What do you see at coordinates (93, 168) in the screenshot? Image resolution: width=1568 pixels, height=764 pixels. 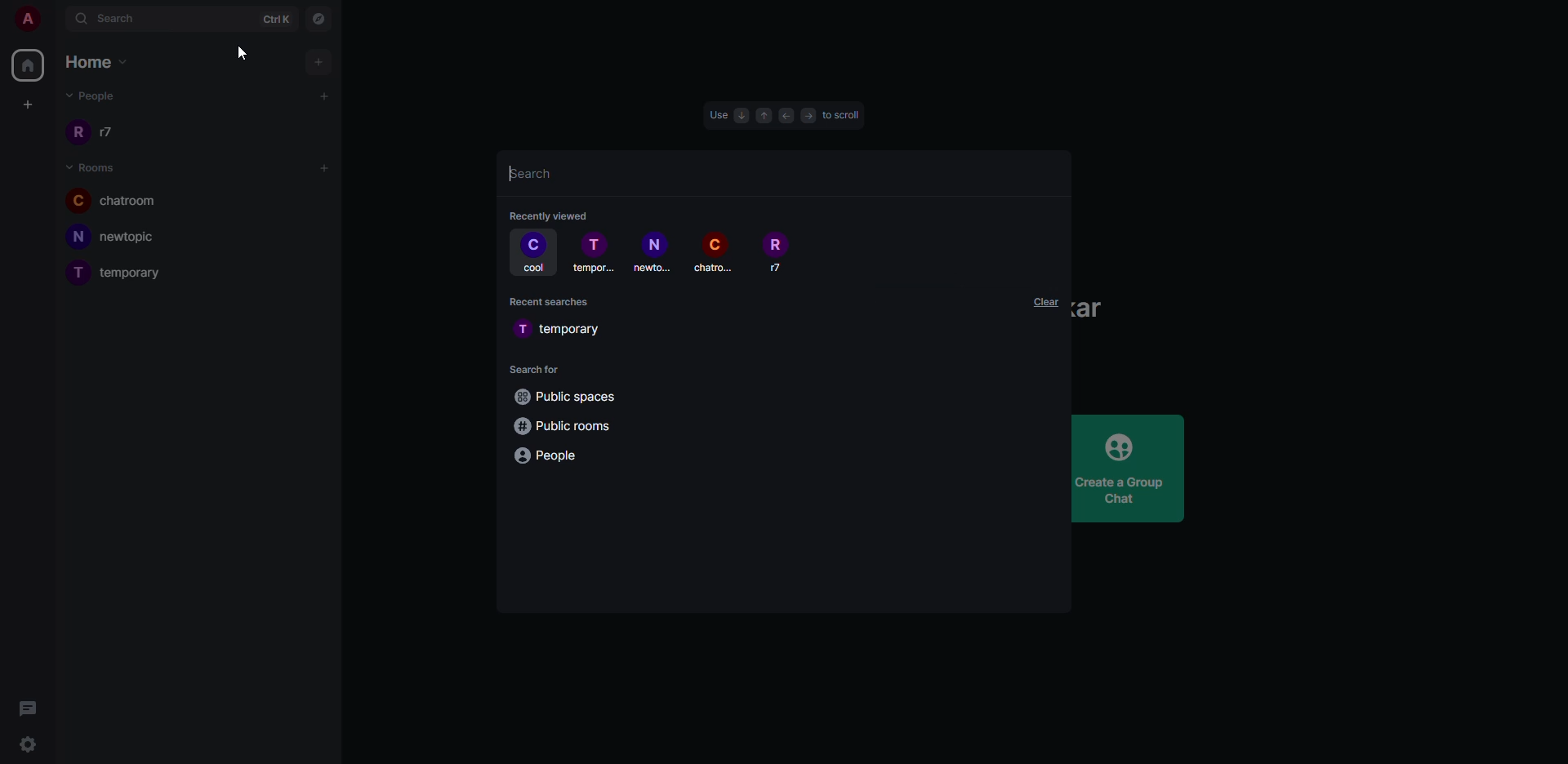 I see `rooms` at bounding box center [93, 168].